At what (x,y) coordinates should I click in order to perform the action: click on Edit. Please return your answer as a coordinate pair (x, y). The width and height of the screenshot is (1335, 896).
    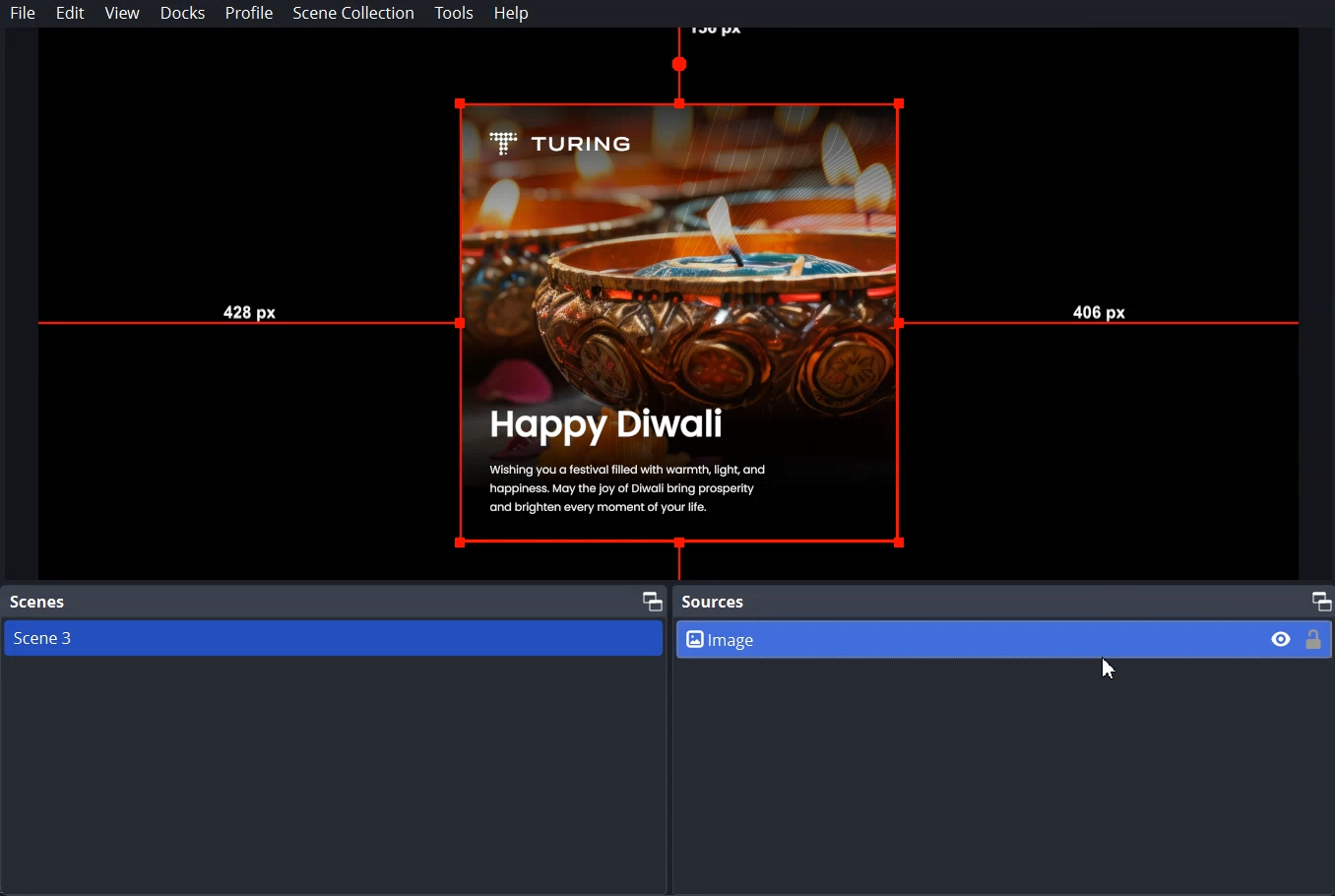
    Looking at the image, I should click on (70, 14).